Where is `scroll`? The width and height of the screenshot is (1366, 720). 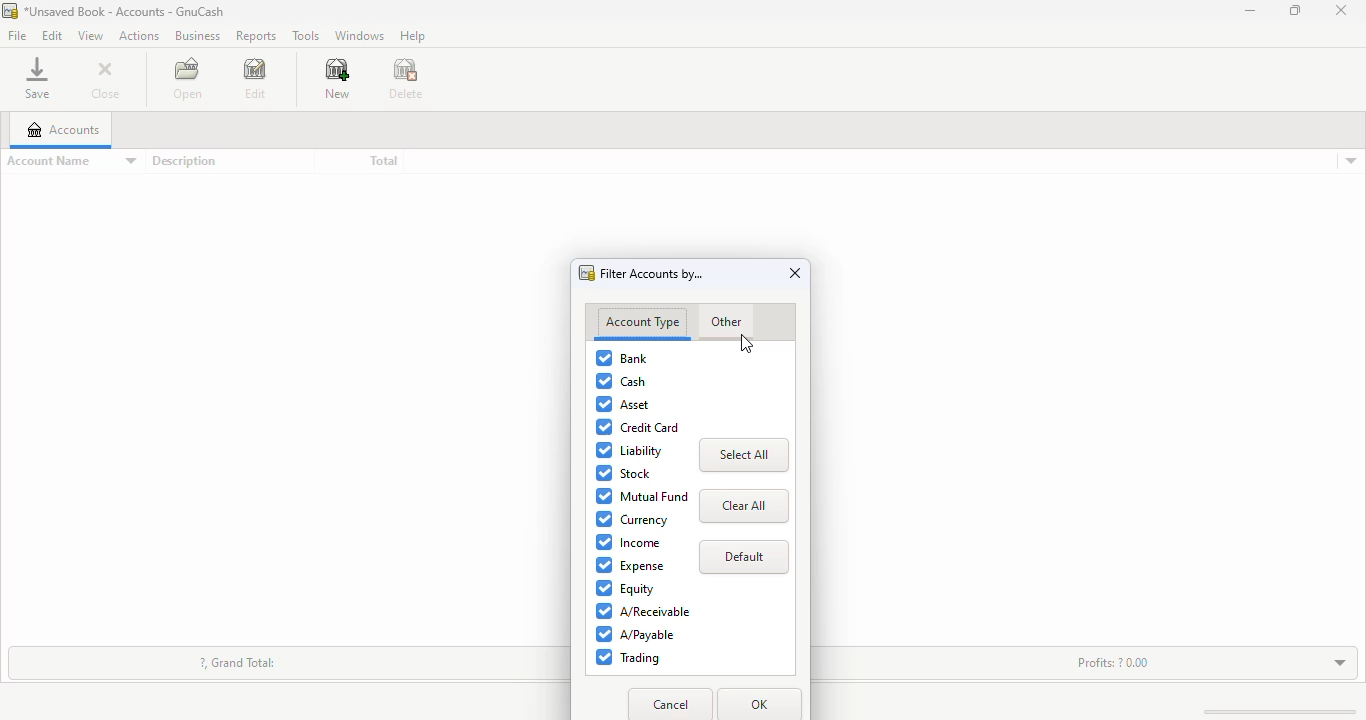
scroll is located at coordinates (1269, 711).